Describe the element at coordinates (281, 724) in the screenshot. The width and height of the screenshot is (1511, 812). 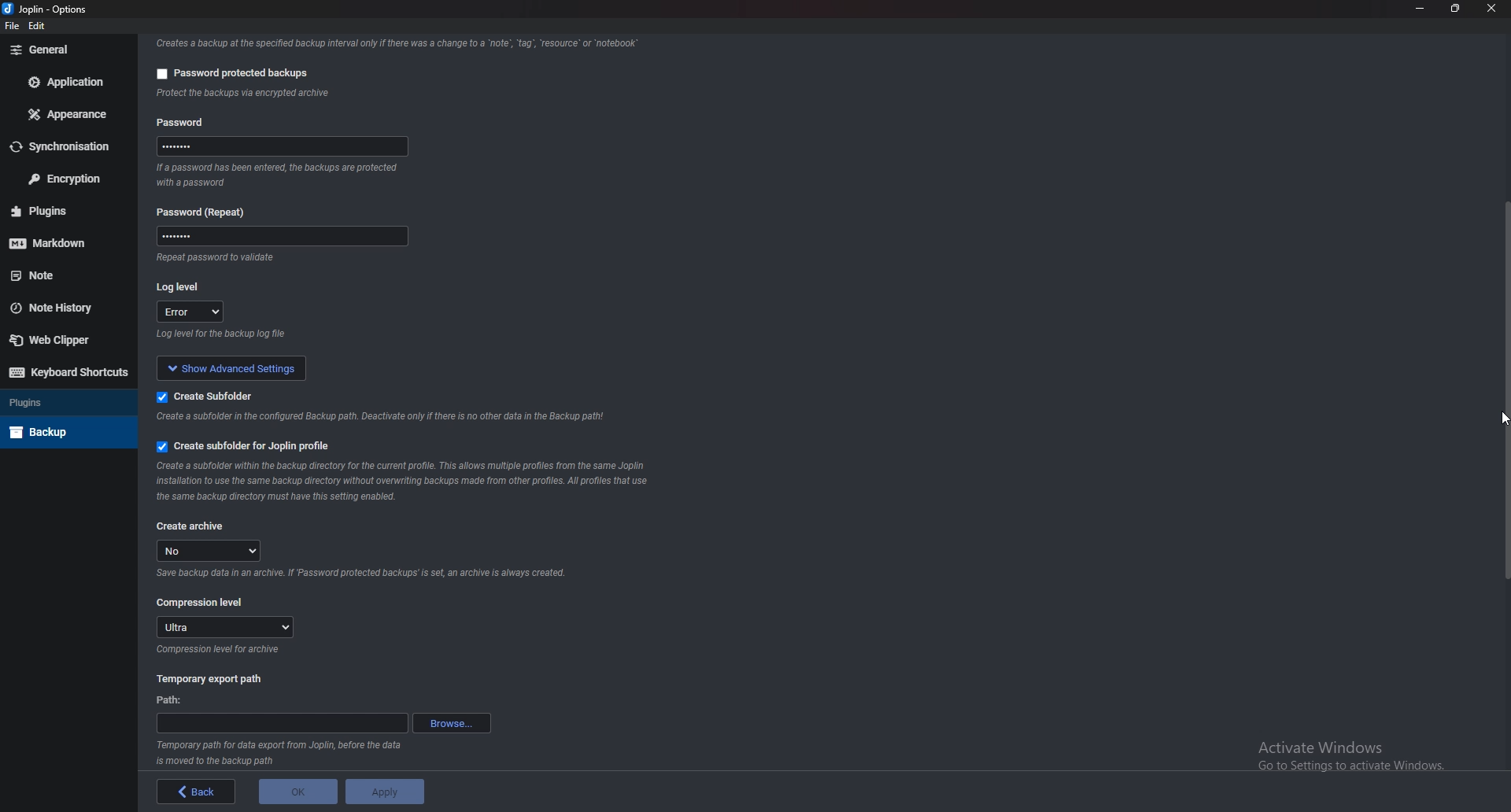
I see `path` at that location.